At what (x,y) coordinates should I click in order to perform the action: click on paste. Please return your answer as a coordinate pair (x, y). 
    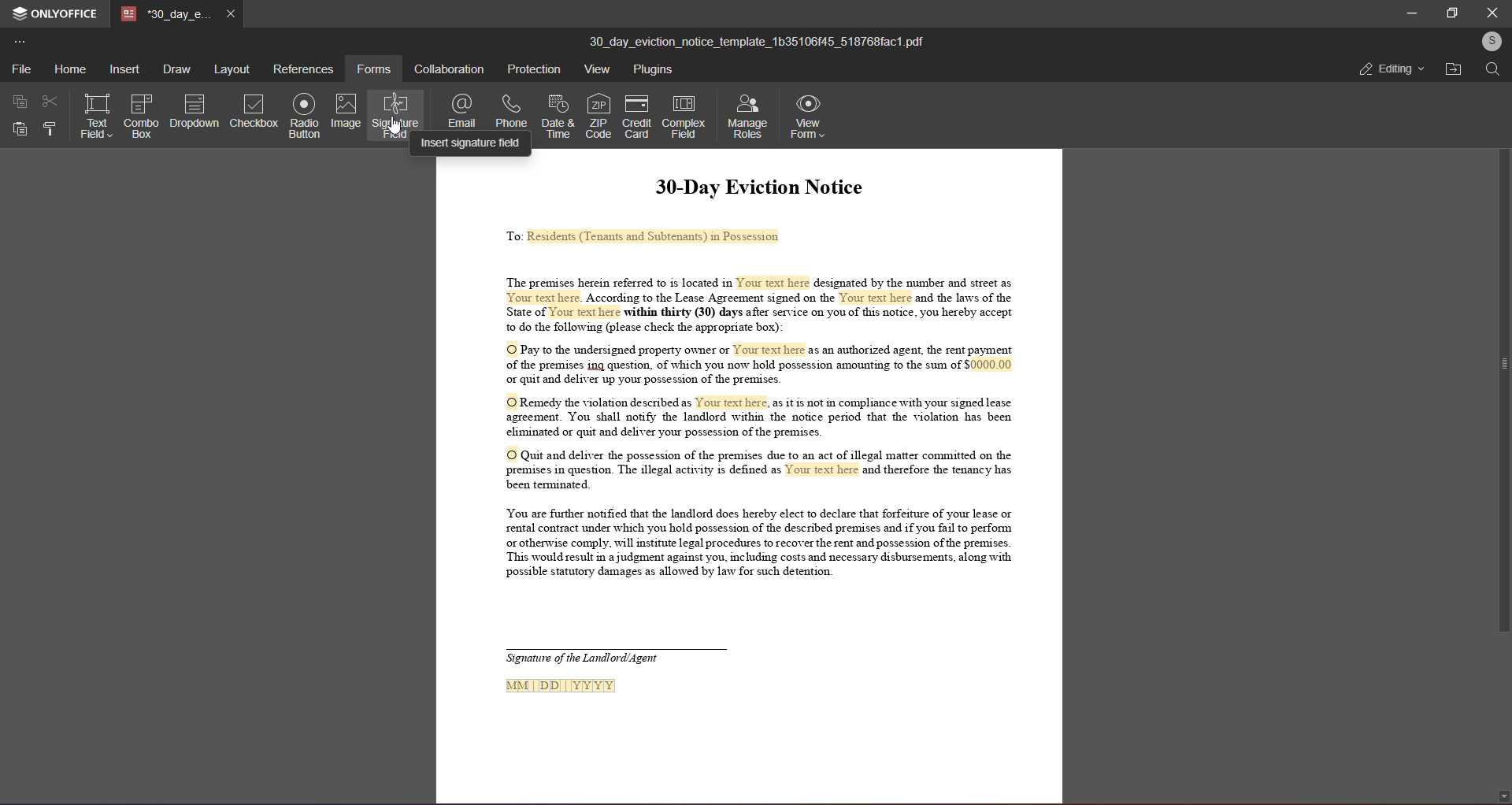
    Looking at the image, I should click on (20, 128).